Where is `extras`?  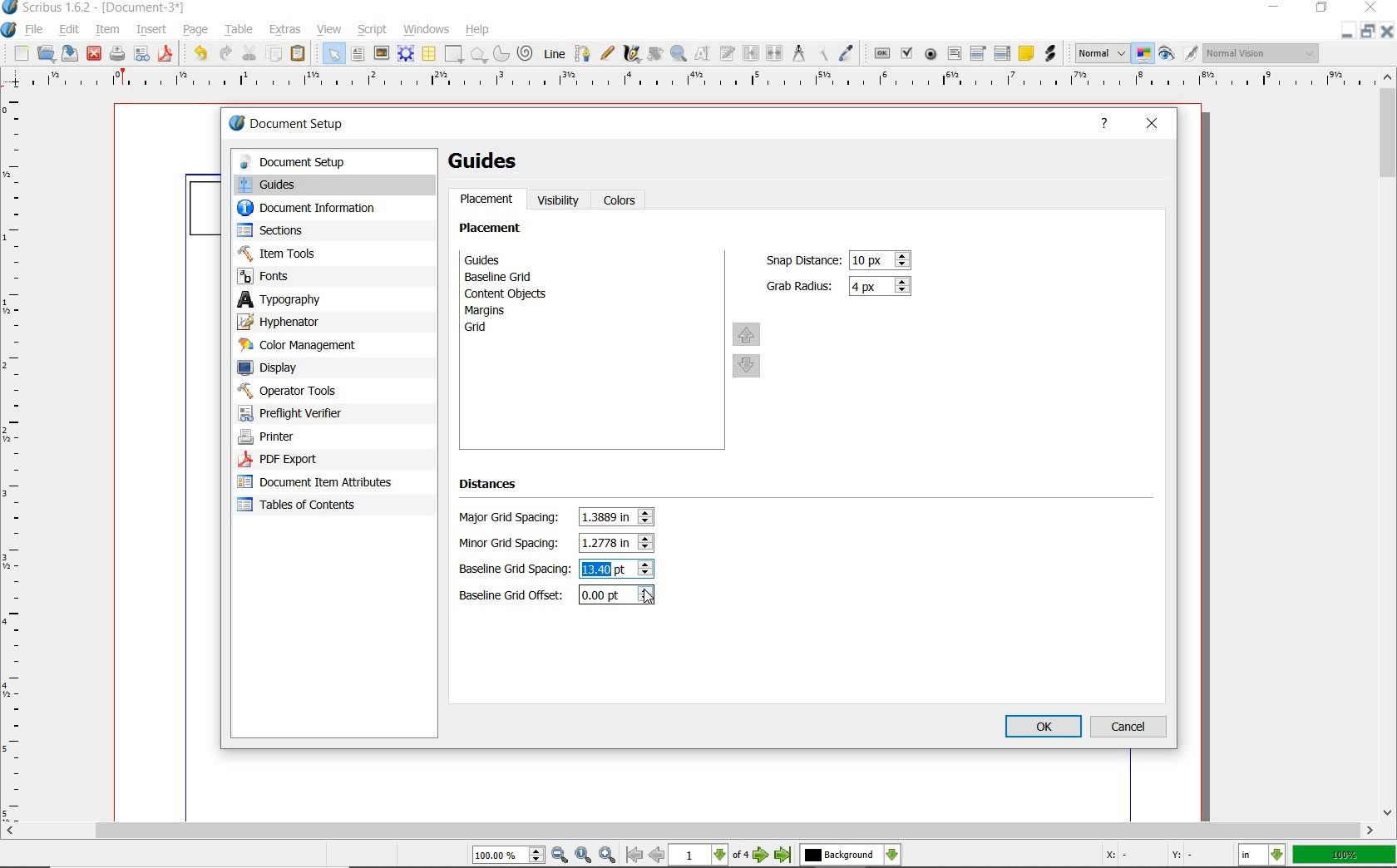
extras is located at coordinates (287, 28).